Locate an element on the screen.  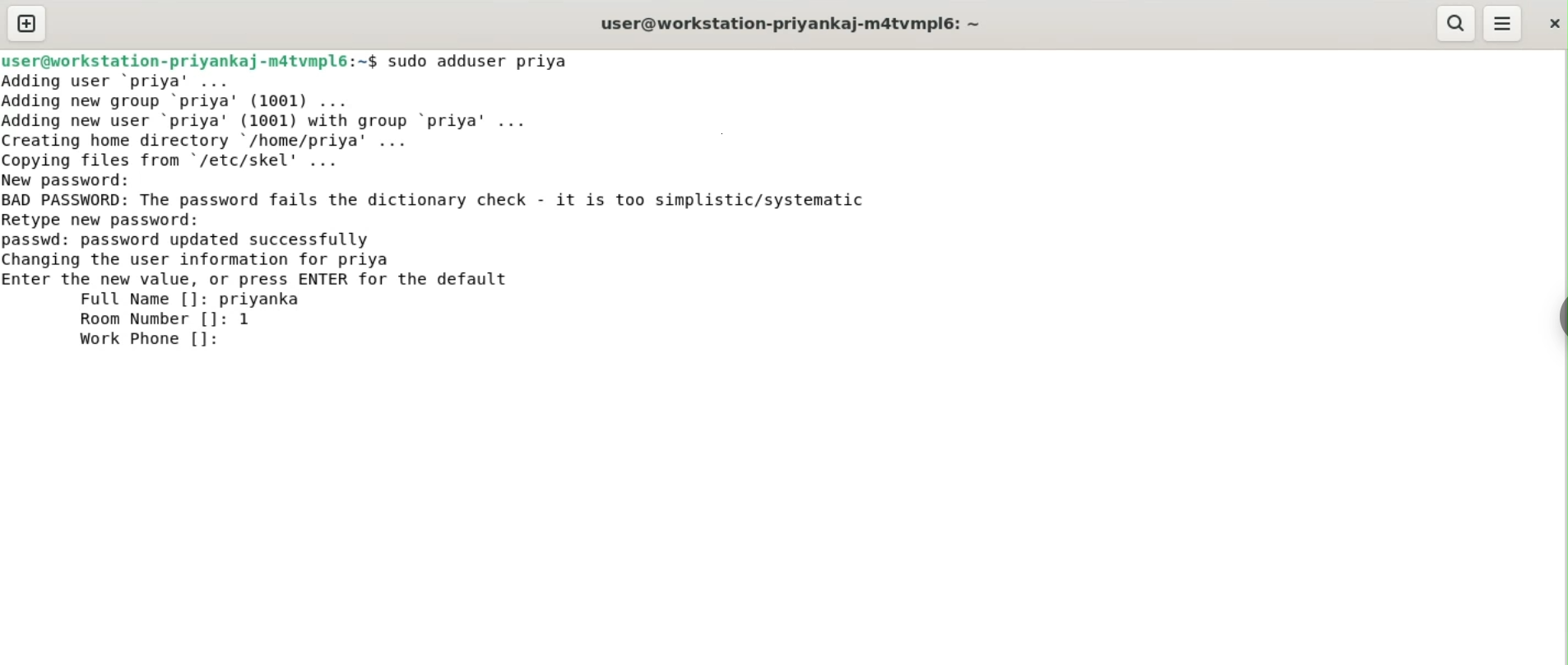
Work Phone []: is located at coordinates (154, 339).